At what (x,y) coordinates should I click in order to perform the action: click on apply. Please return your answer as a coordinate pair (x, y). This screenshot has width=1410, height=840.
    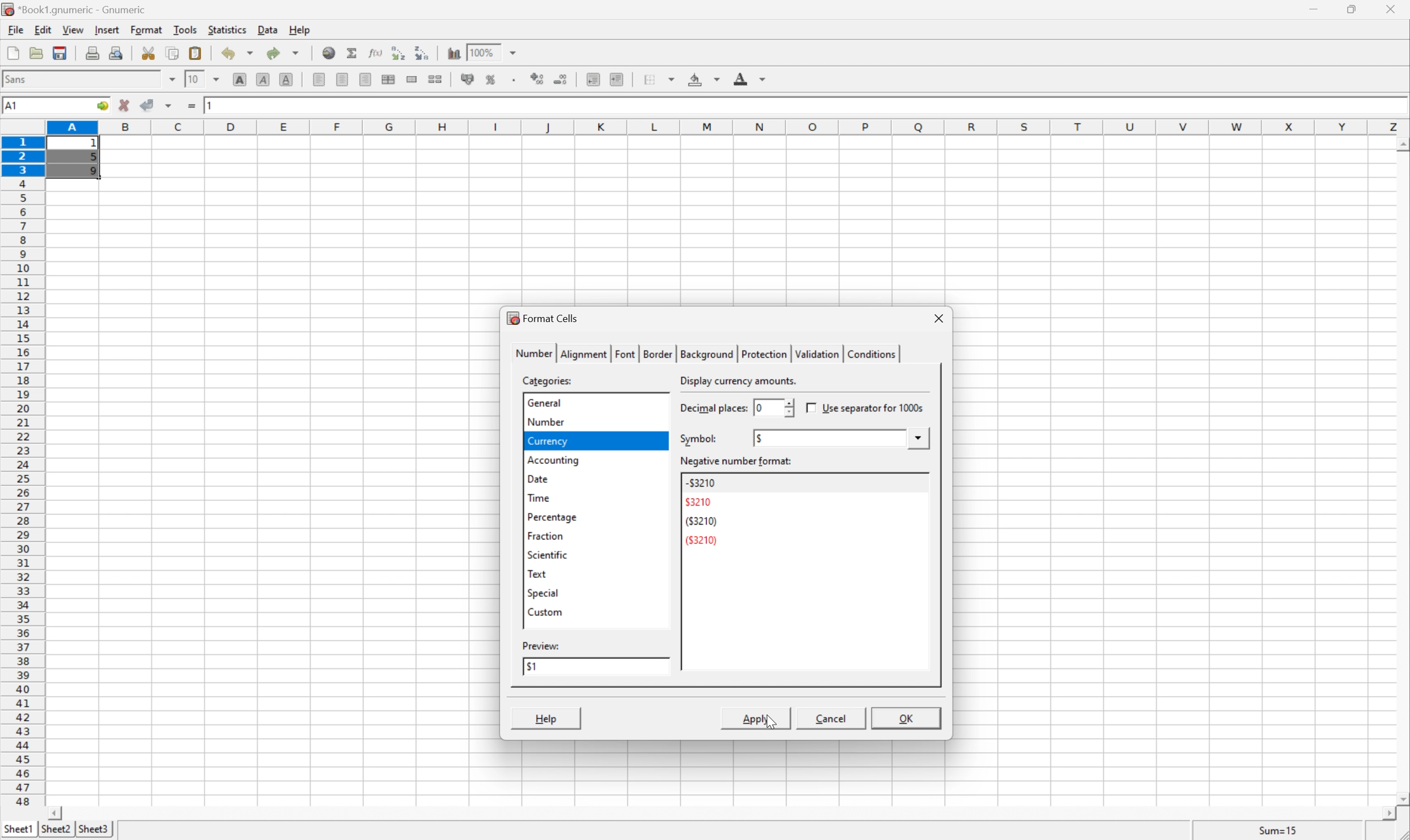
    Looking at the image, I should click on (753, 718).